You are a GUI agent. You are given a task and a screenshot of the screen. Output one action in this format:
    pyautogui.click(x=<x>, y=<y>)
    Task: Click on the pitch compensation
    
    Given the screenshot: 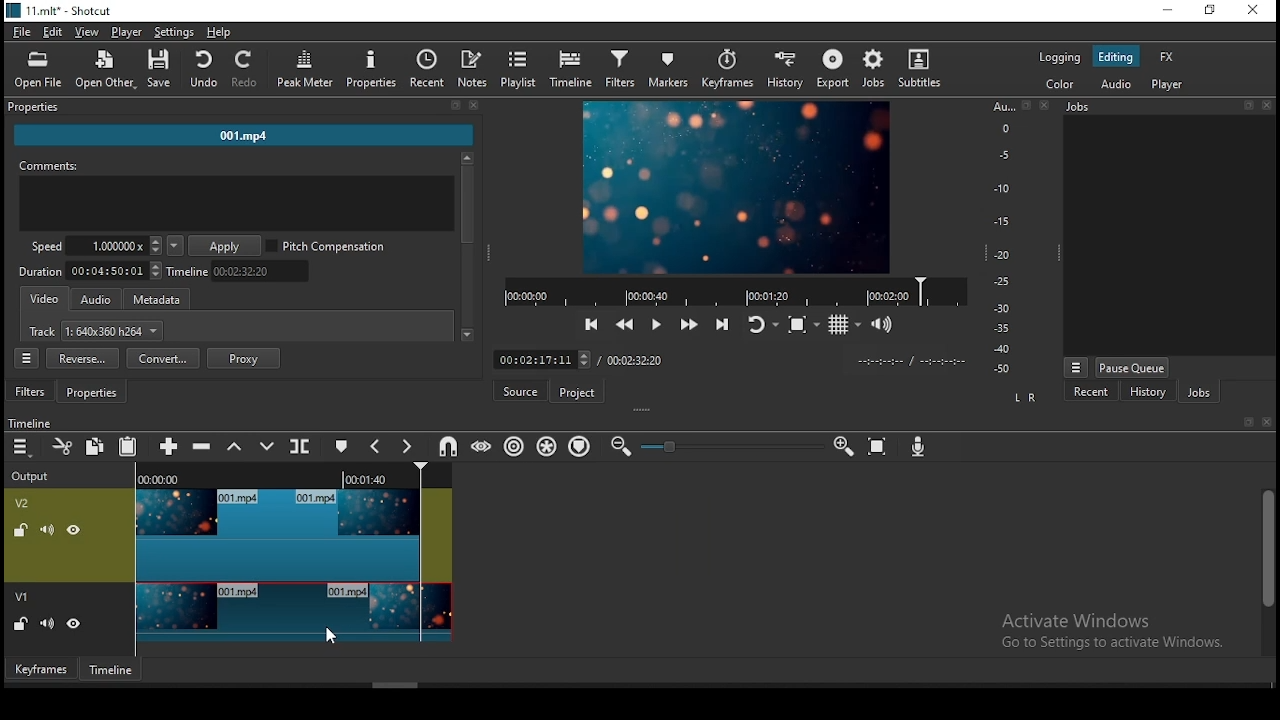 What is the action you would take?
    pyautogui.click(x=327, y=247)
    